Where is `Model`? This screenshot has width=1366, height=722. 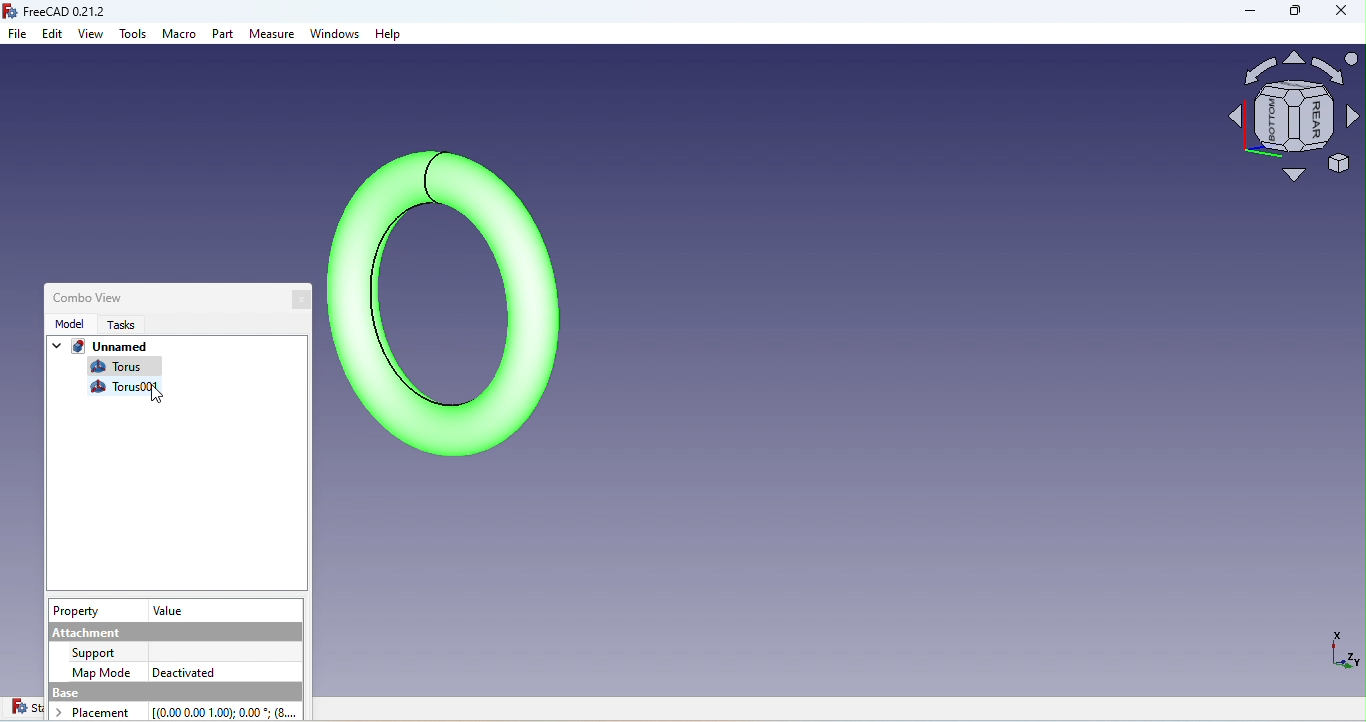
Model is located at coordinates (66, 323).